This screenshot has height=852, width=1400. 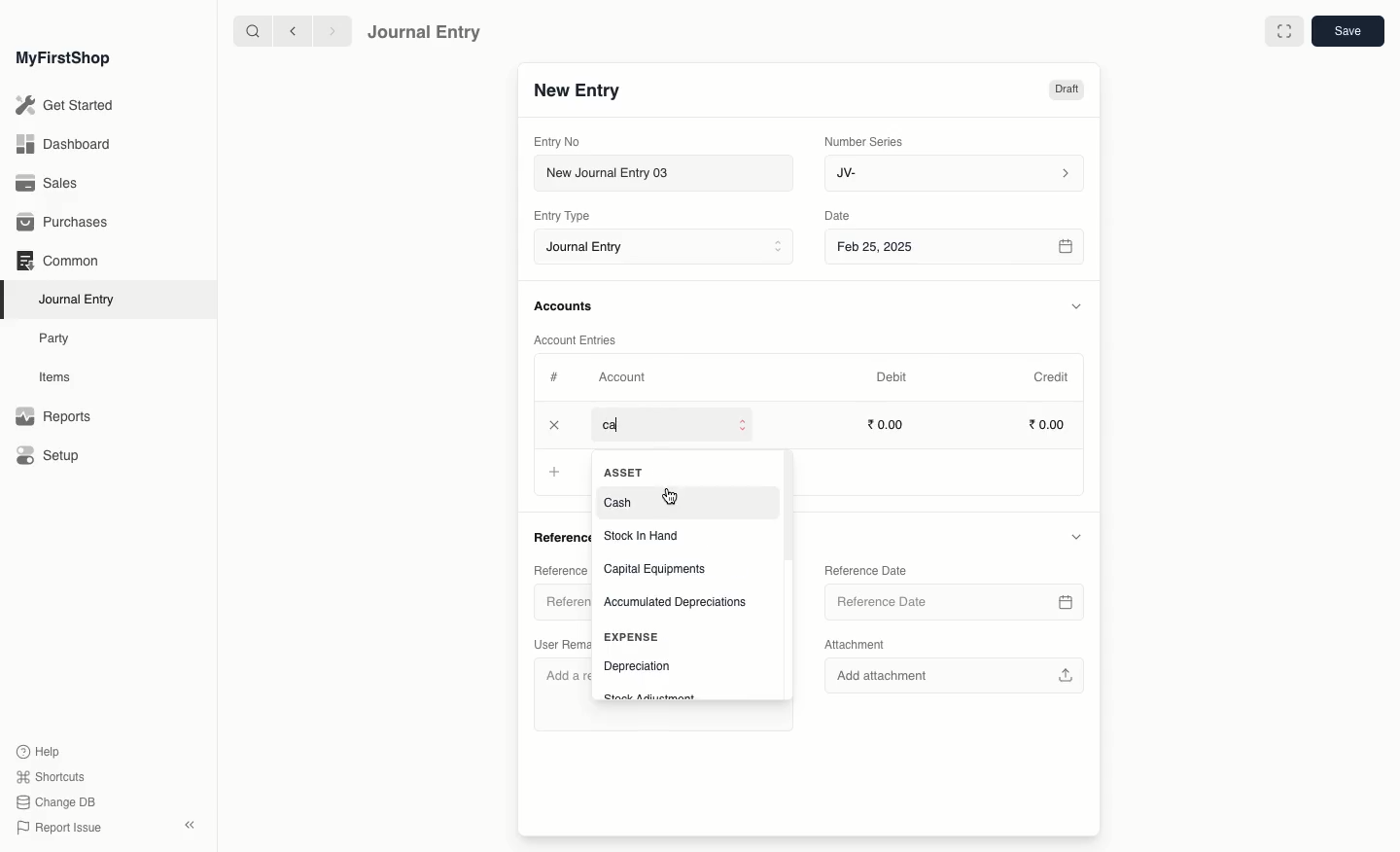 I want to click on Credit, so click(x=1050, y=375).